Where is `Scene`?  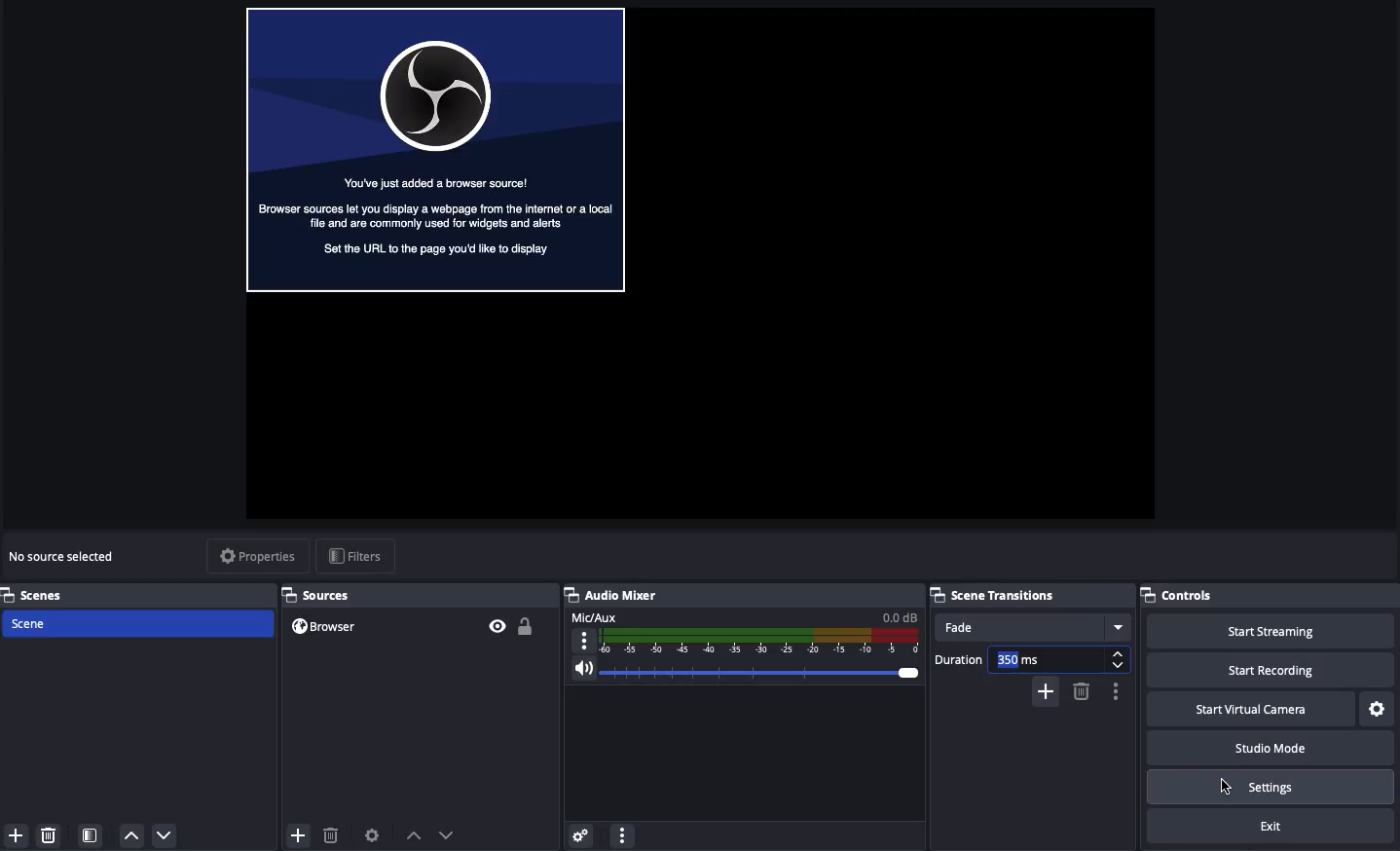
Scene is located at coordinates (142, 624).